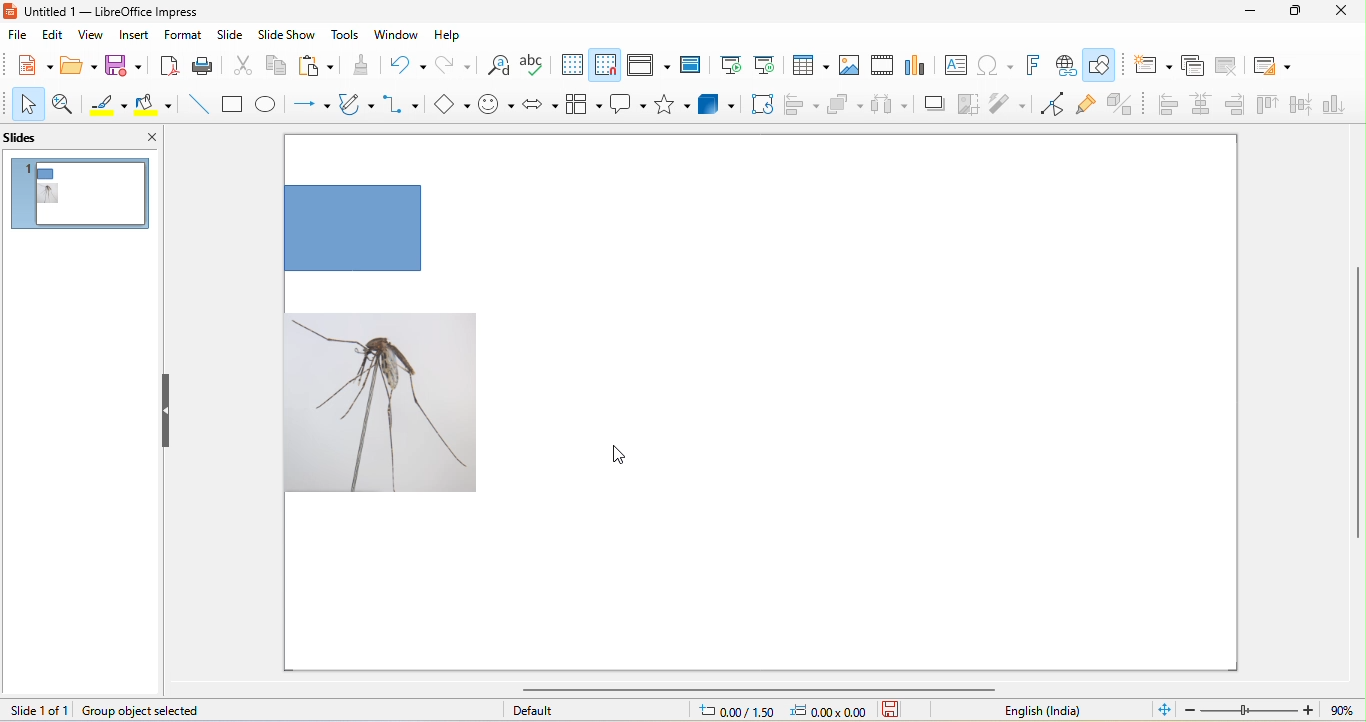  What do you see at coordinates (182, 36) in the screenshot?
I see `format` at bounding box center [182, 36].